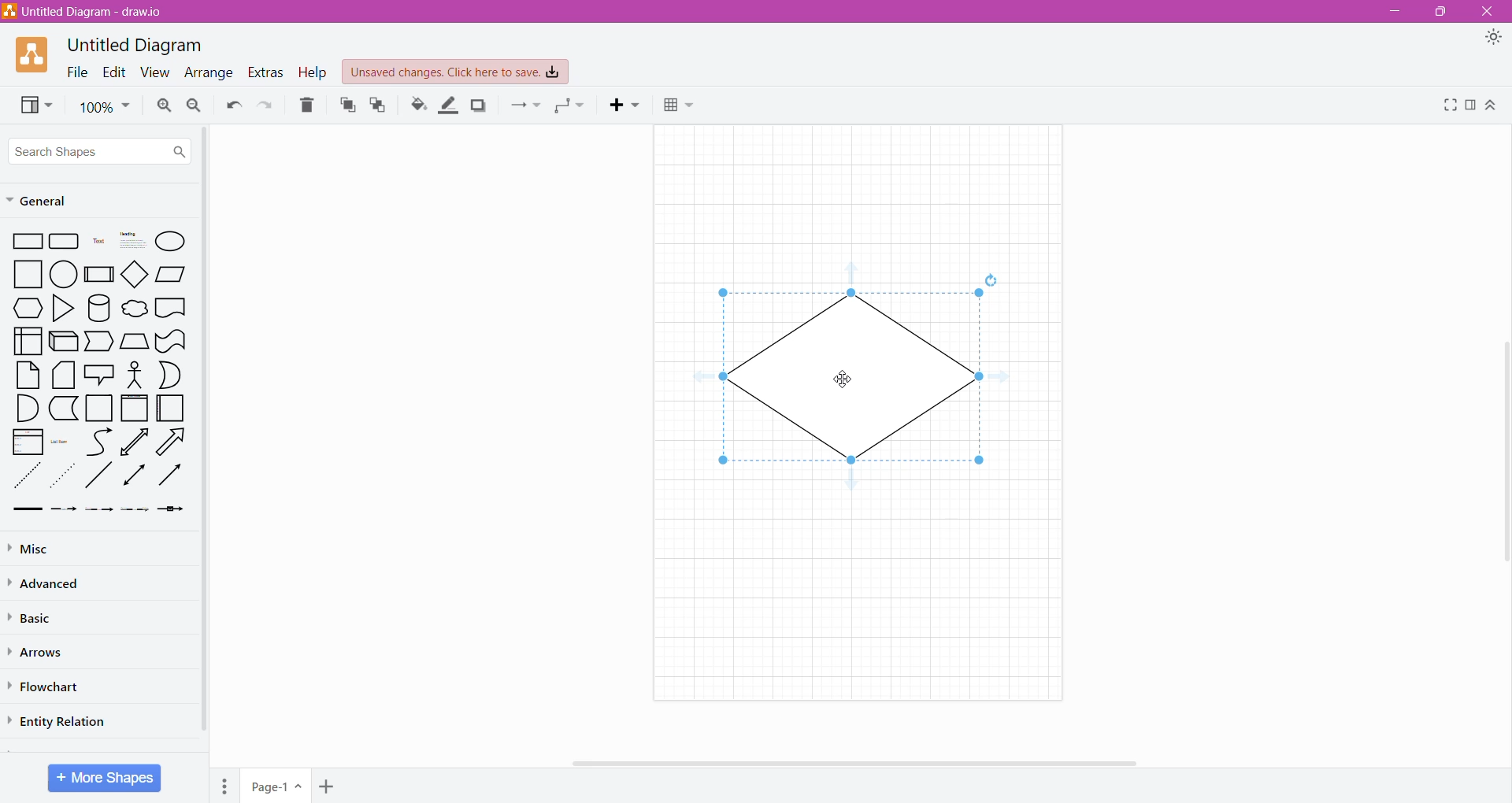 This screenshot has width=1512, height=803. I want to click on Redo, so click(265, 105).